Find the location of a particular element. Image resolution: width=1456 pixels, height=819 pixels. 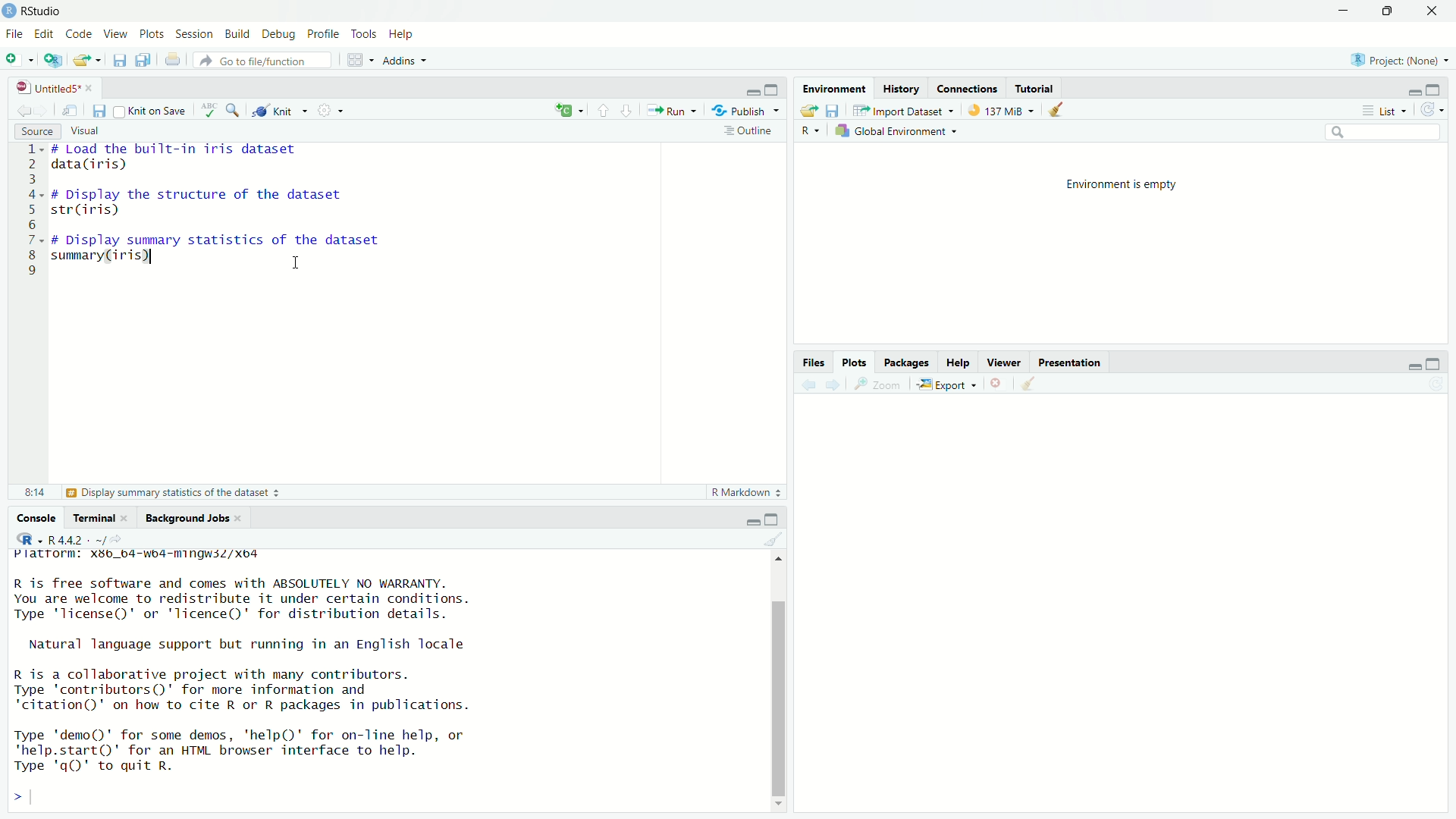

Addins is located at coordinates (405, 61).